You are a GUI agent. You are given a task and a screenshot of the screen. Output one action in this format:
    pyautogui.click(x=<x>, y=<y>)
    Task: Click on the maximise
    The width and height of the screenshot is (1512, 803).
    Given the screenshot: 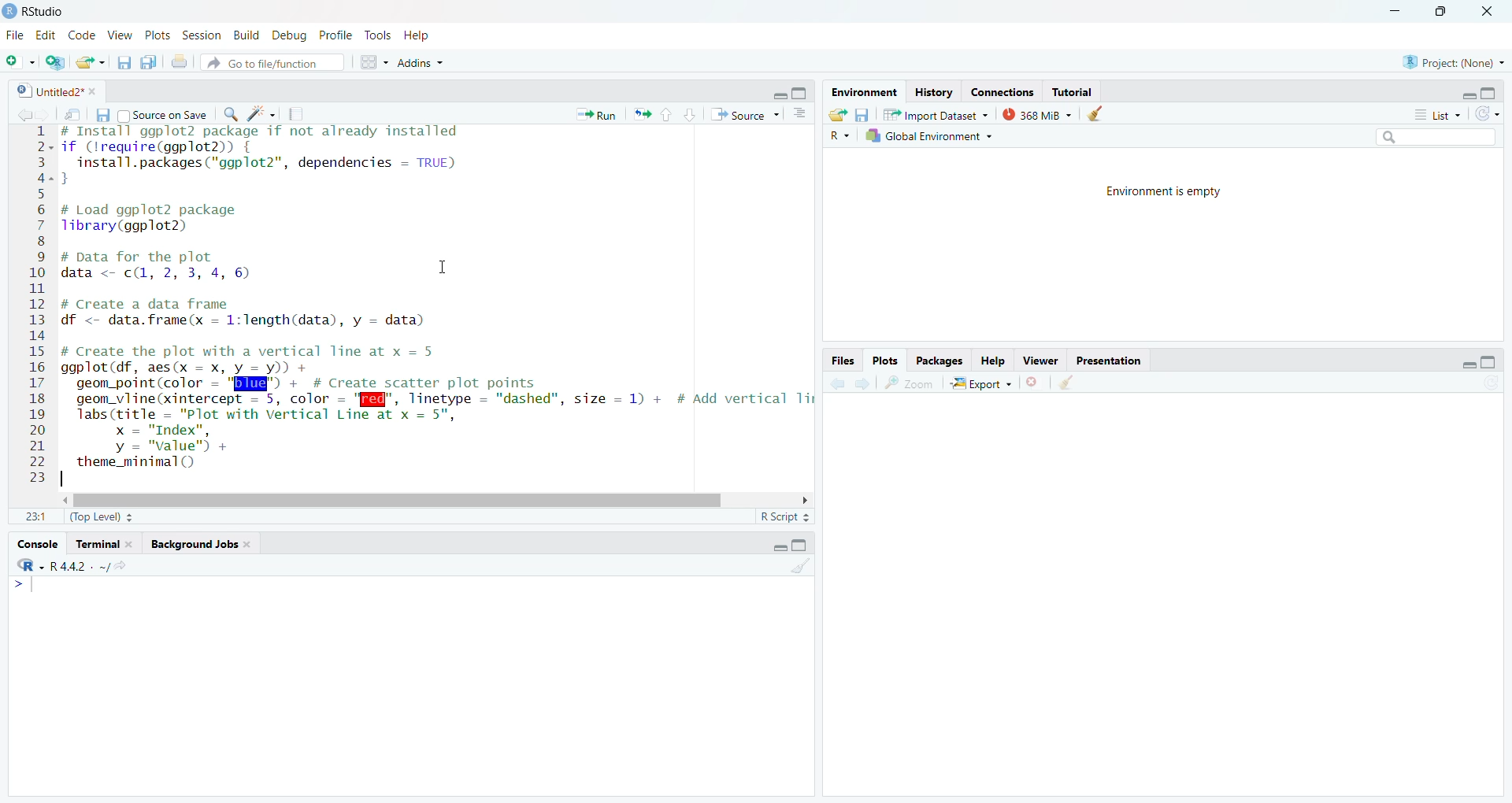 What is the action you would take?
    pyautogui.click(x=802, y=546)
    